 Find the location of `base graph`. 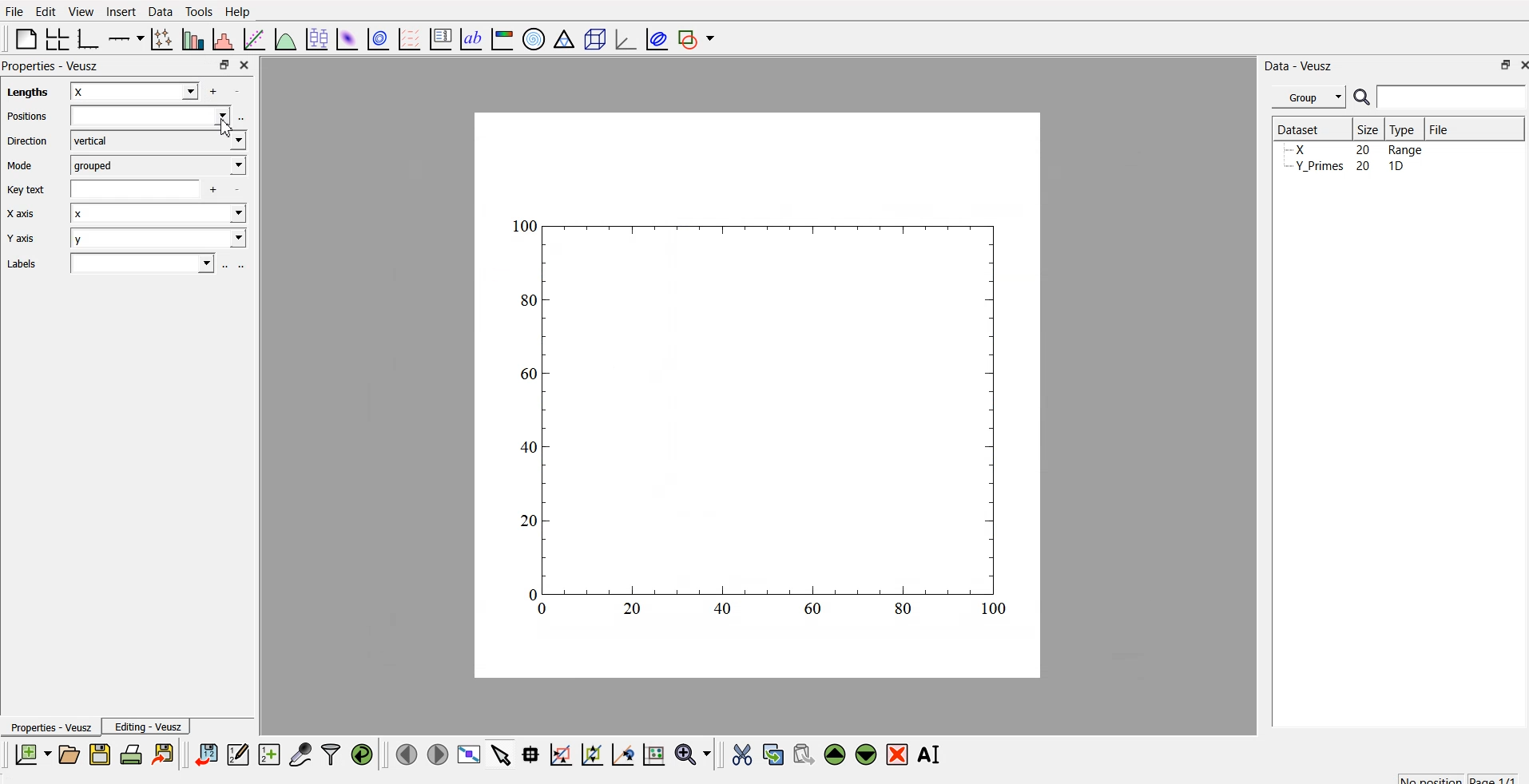

base graph is located at coordinates (85, 37).